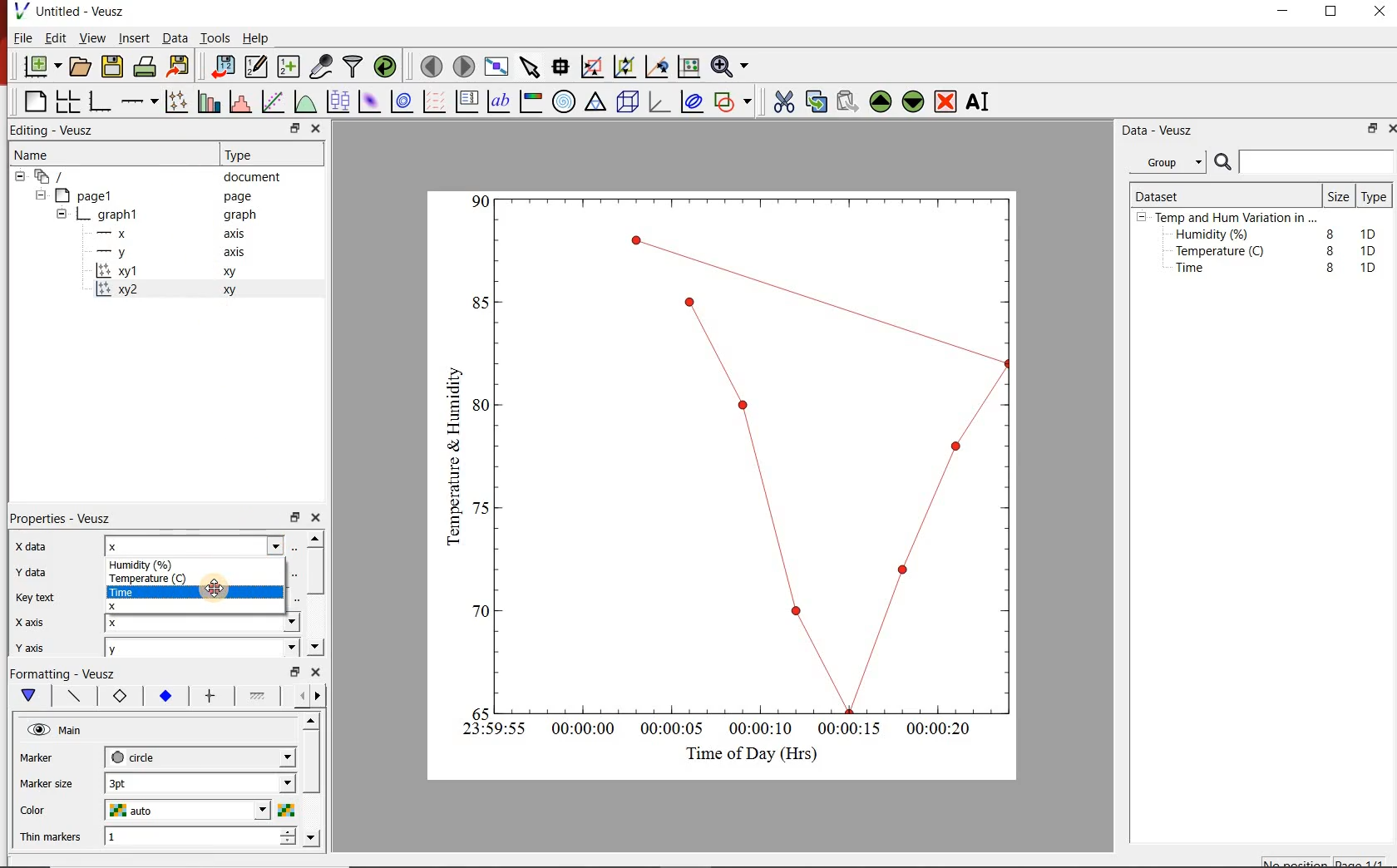 This screenshot has width=1397, height=868. I want to click on Marker size, so click(54, 782).